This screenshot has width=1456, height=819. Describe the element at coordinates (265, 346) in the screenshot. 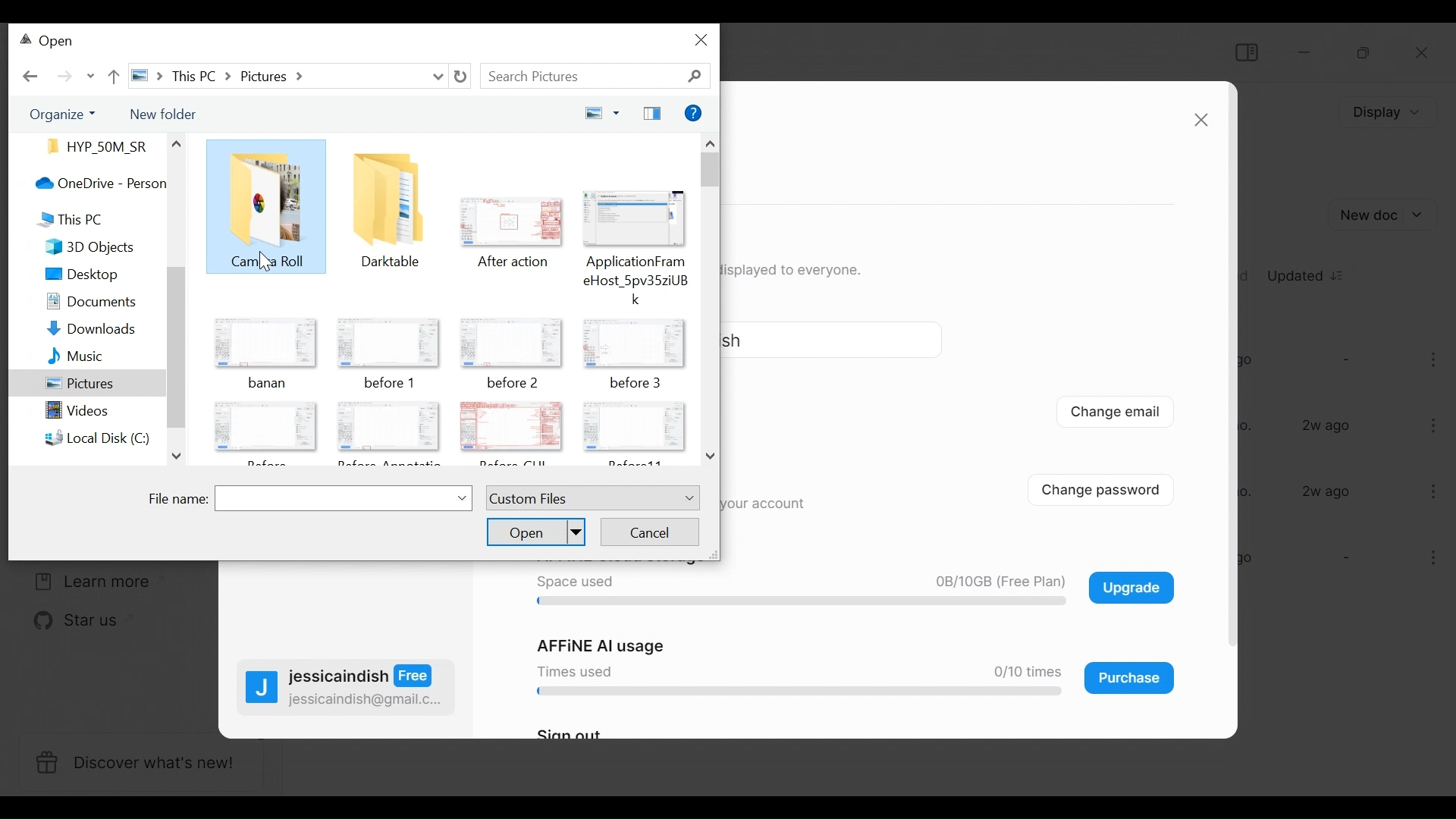

I see `icon` at that location.